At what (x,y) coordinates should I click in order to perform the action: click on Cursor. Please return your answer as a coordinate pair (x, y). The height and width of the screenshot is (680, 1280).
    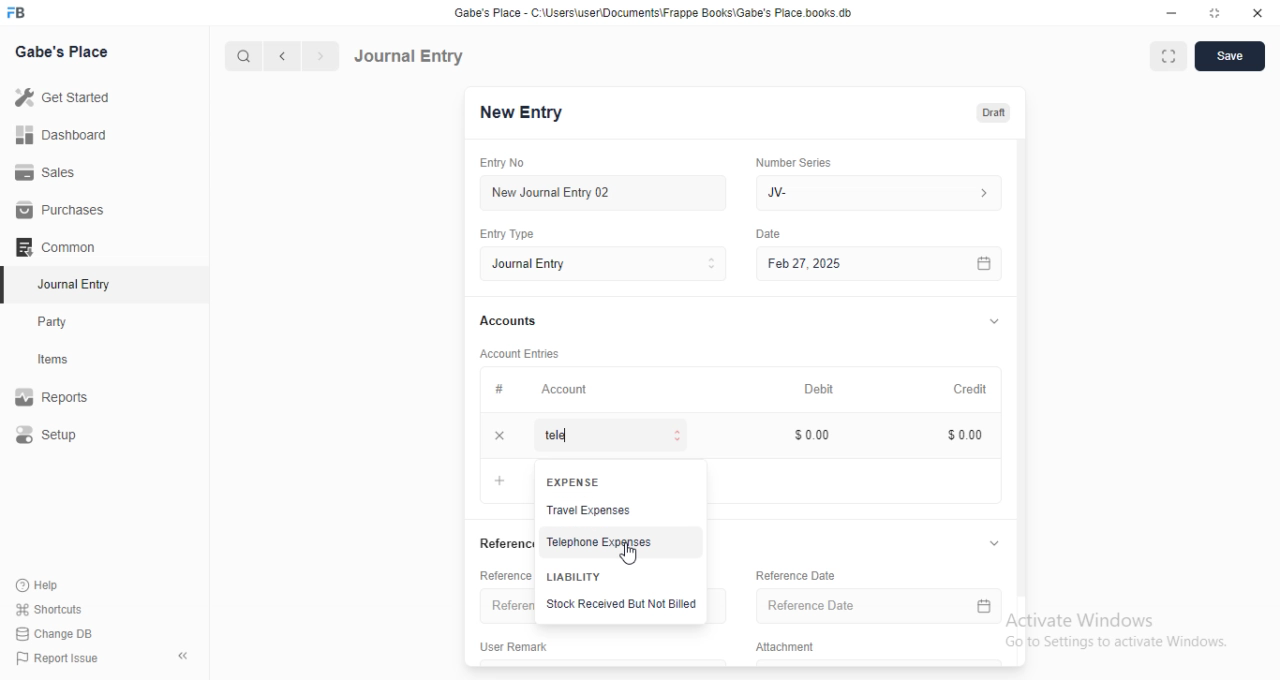
    Looking at the image, I should click on (631, 554).